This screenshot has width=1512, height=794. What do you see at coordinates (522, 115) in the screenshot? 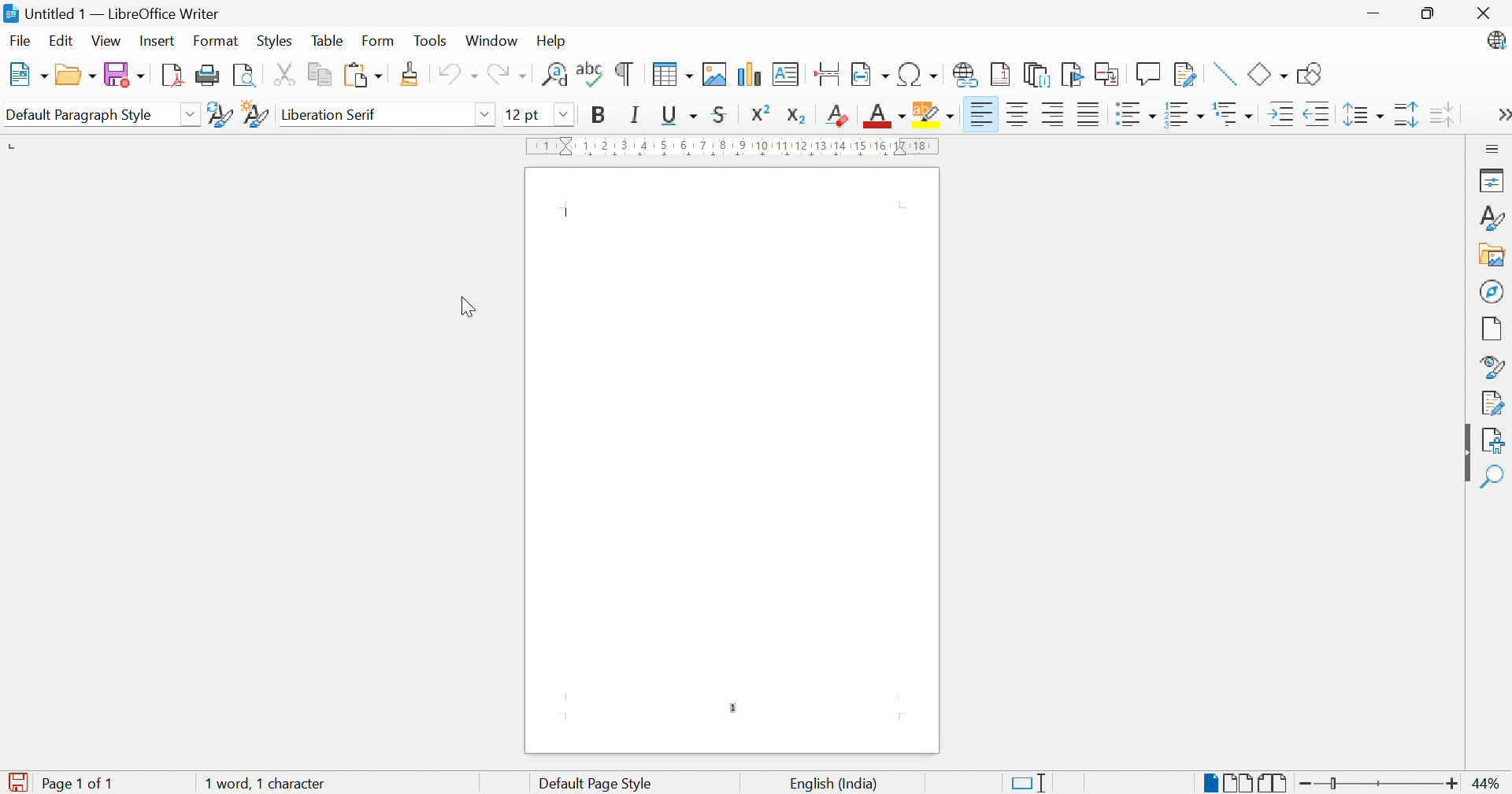
I see `12 pt` at bounding box center [522, 115].